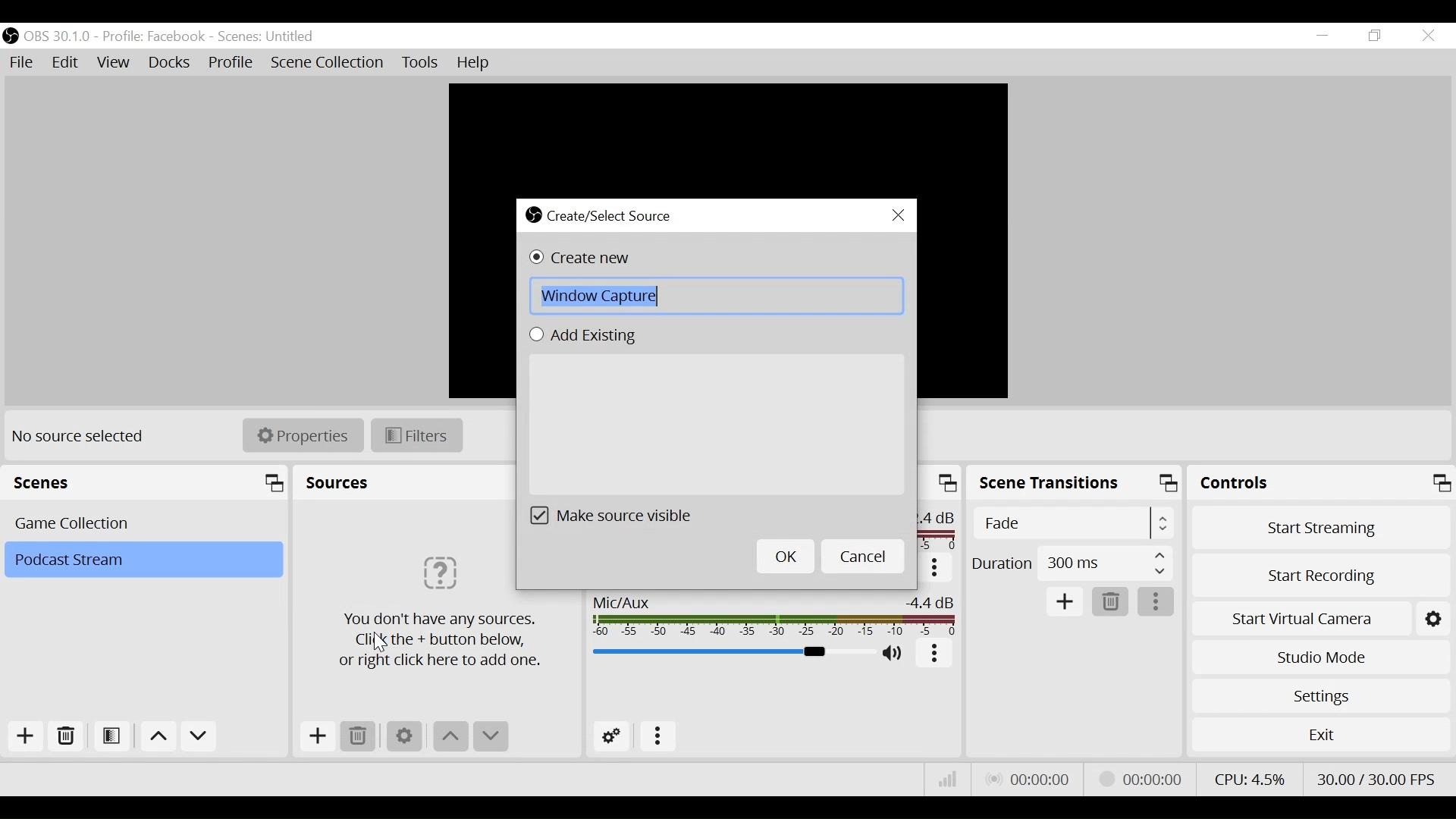 The image size is (1456, 819). Describe the element at coordinates (731, 652) in the screenshot. I see `Mic/Aux` at that location.